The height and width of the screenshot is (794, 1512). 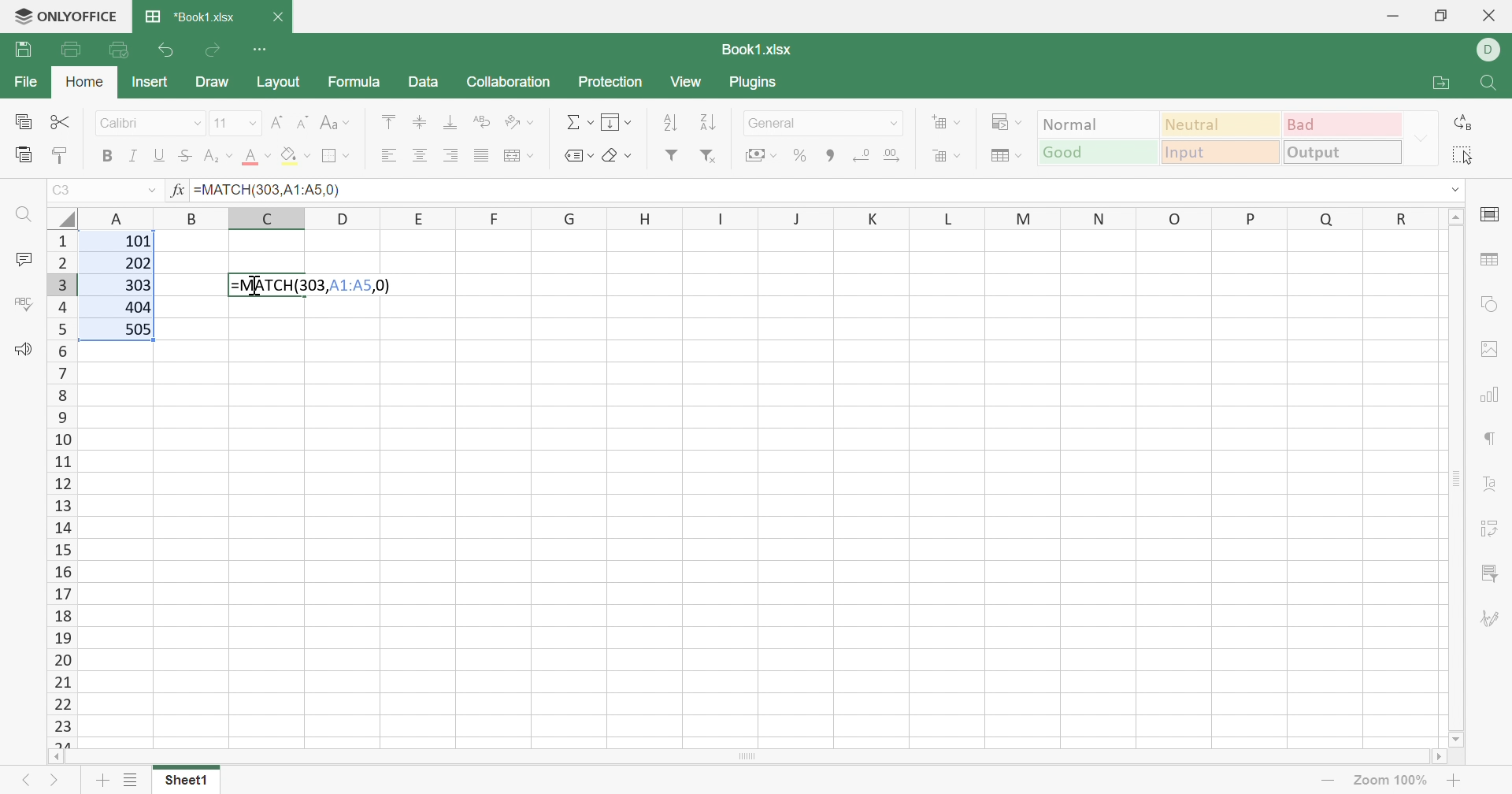 I want to click on Descending order, so click(x=708, y=124).